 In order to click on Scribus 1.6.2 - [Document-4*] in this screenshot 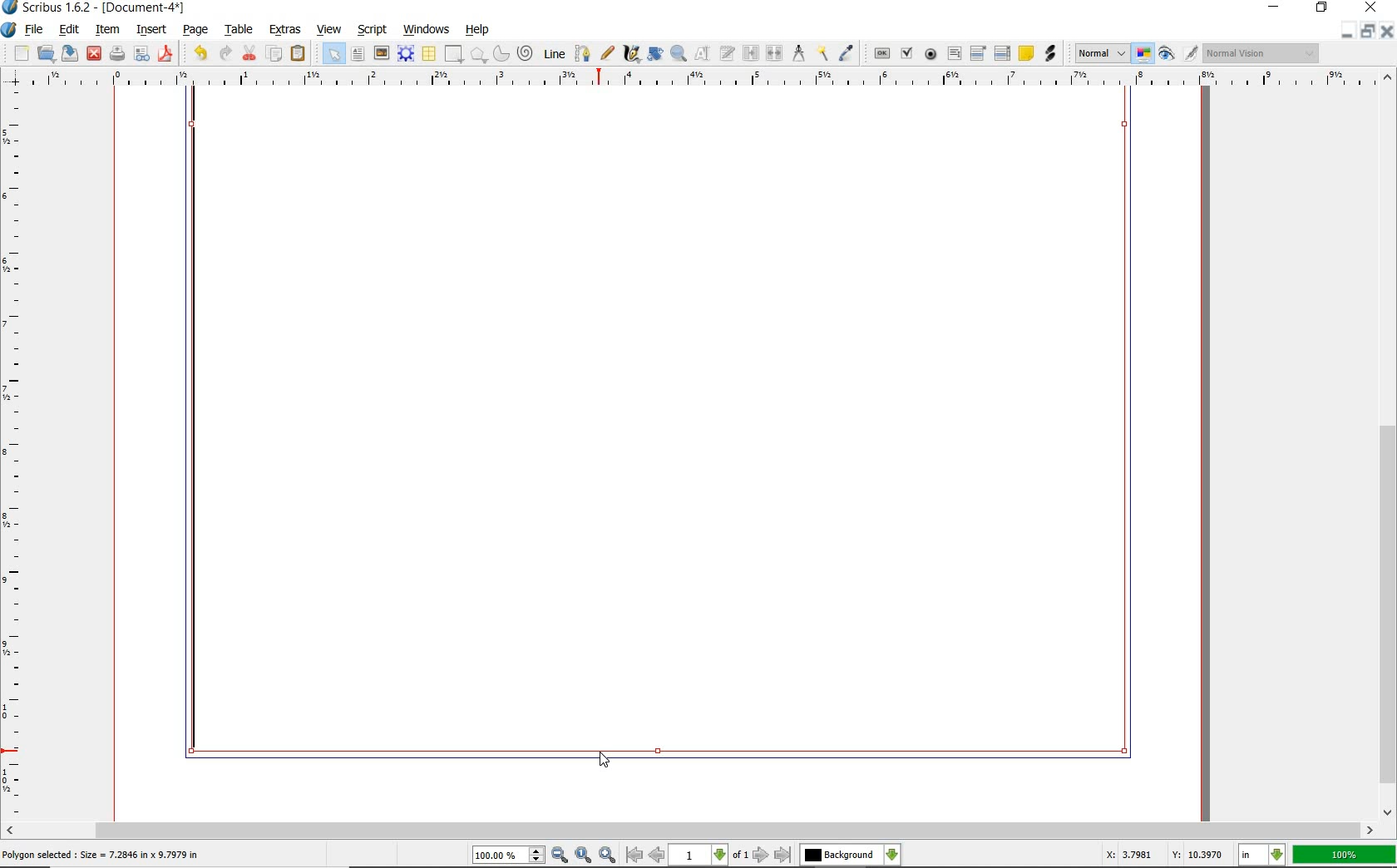, I will do `click(96, 8)`.